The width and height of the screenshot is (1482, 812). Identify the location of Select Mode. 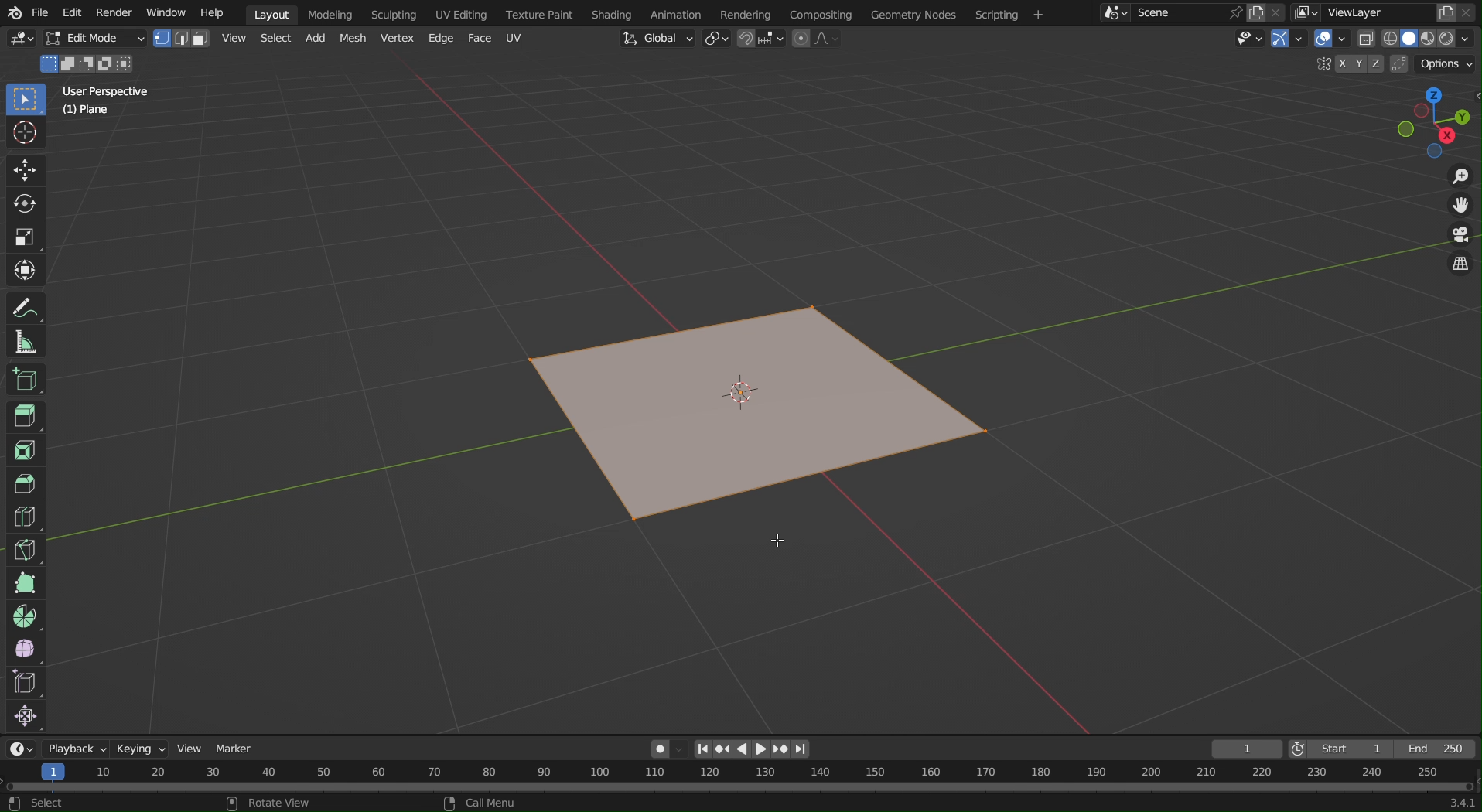
(181, 39).